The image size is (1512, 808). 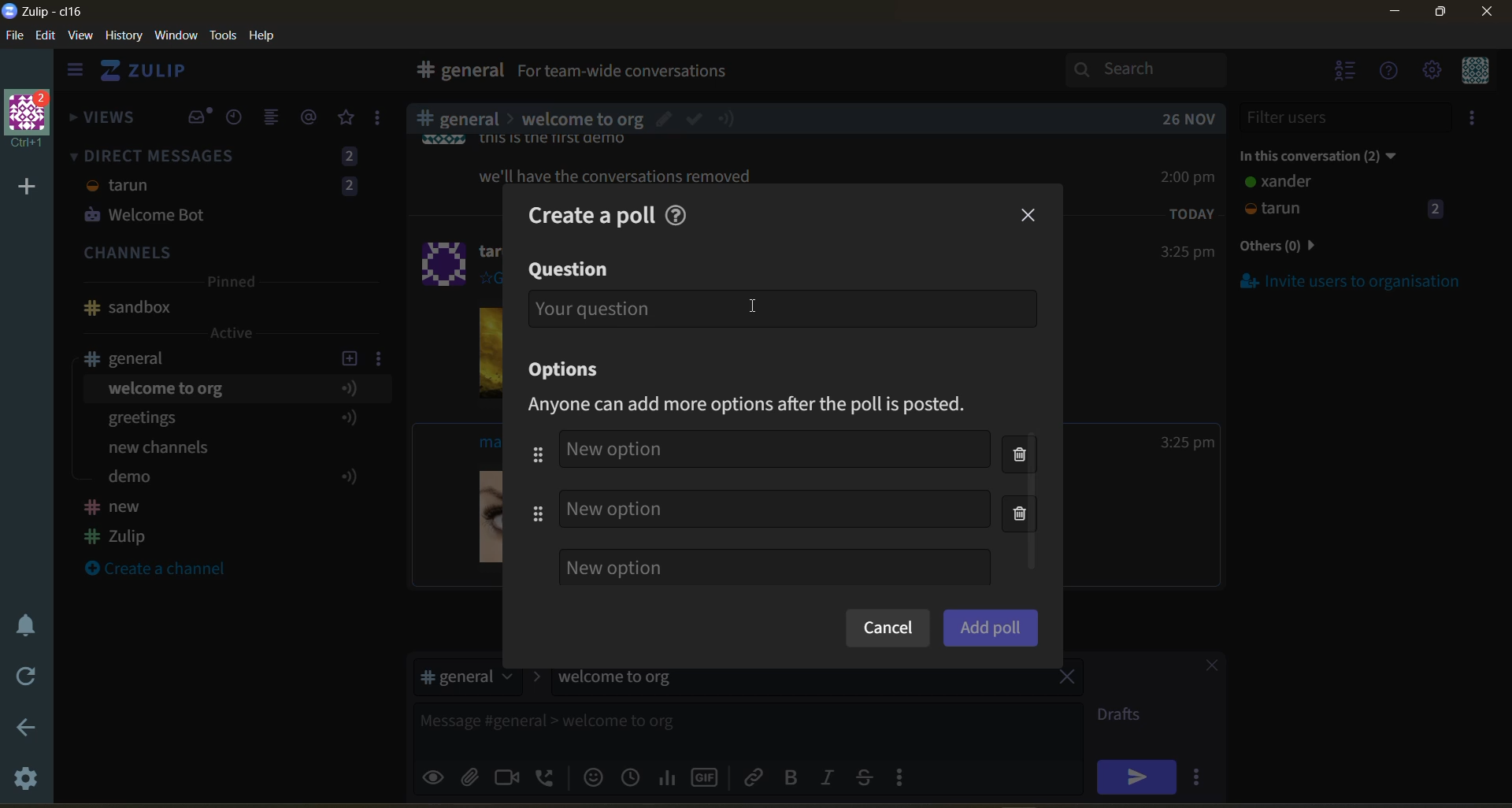 What do you see at coordinates (1303, 247) in the screenshot?
I see `others` at bounding box center [1303, 247].